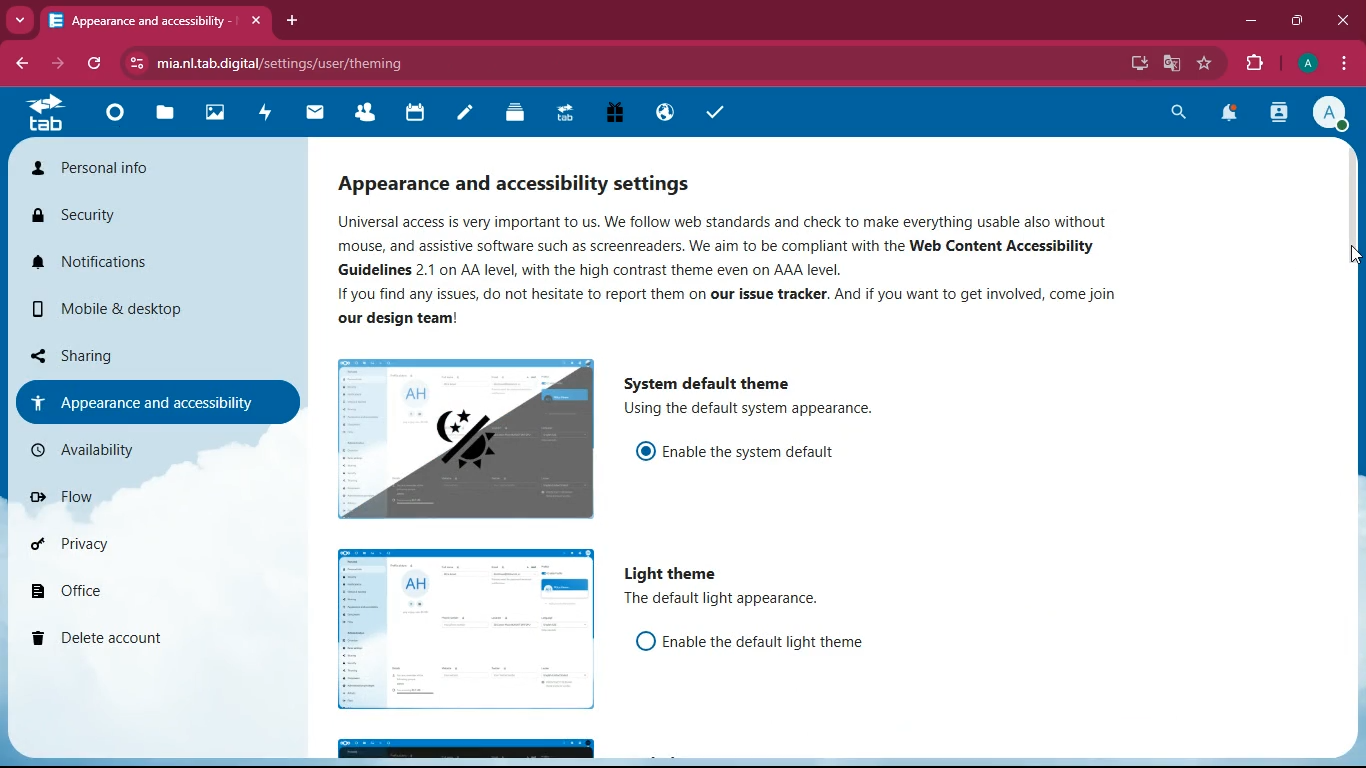 This screenshot has width=1366, height=768. I want to click on tab, so click(53, 112).